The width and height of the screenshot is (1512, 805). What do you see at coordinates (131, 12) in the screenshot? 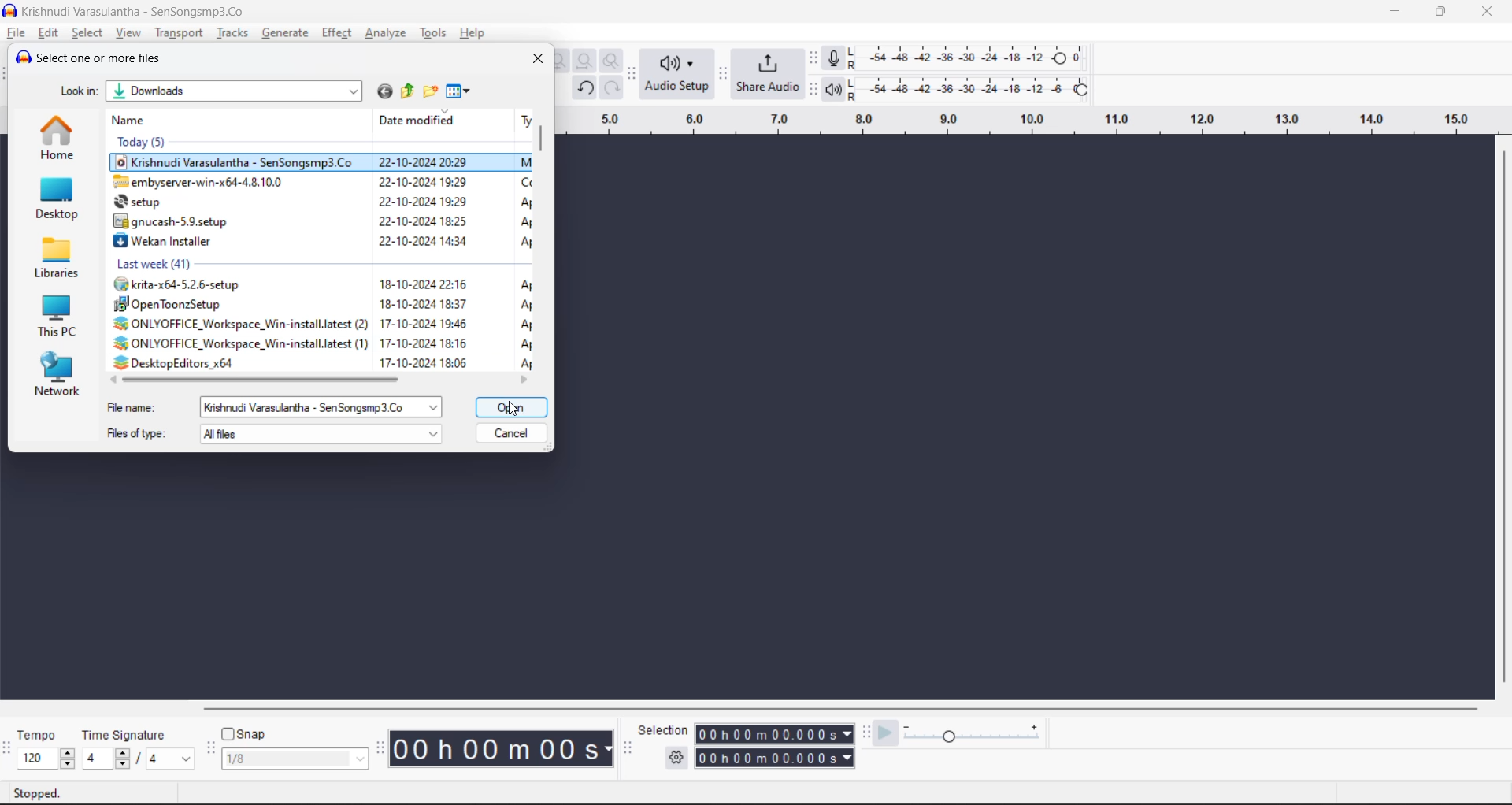
I see `Krishnudi Varasulantha - SenSongsmp3.Co` at bounding box center [131, 12].